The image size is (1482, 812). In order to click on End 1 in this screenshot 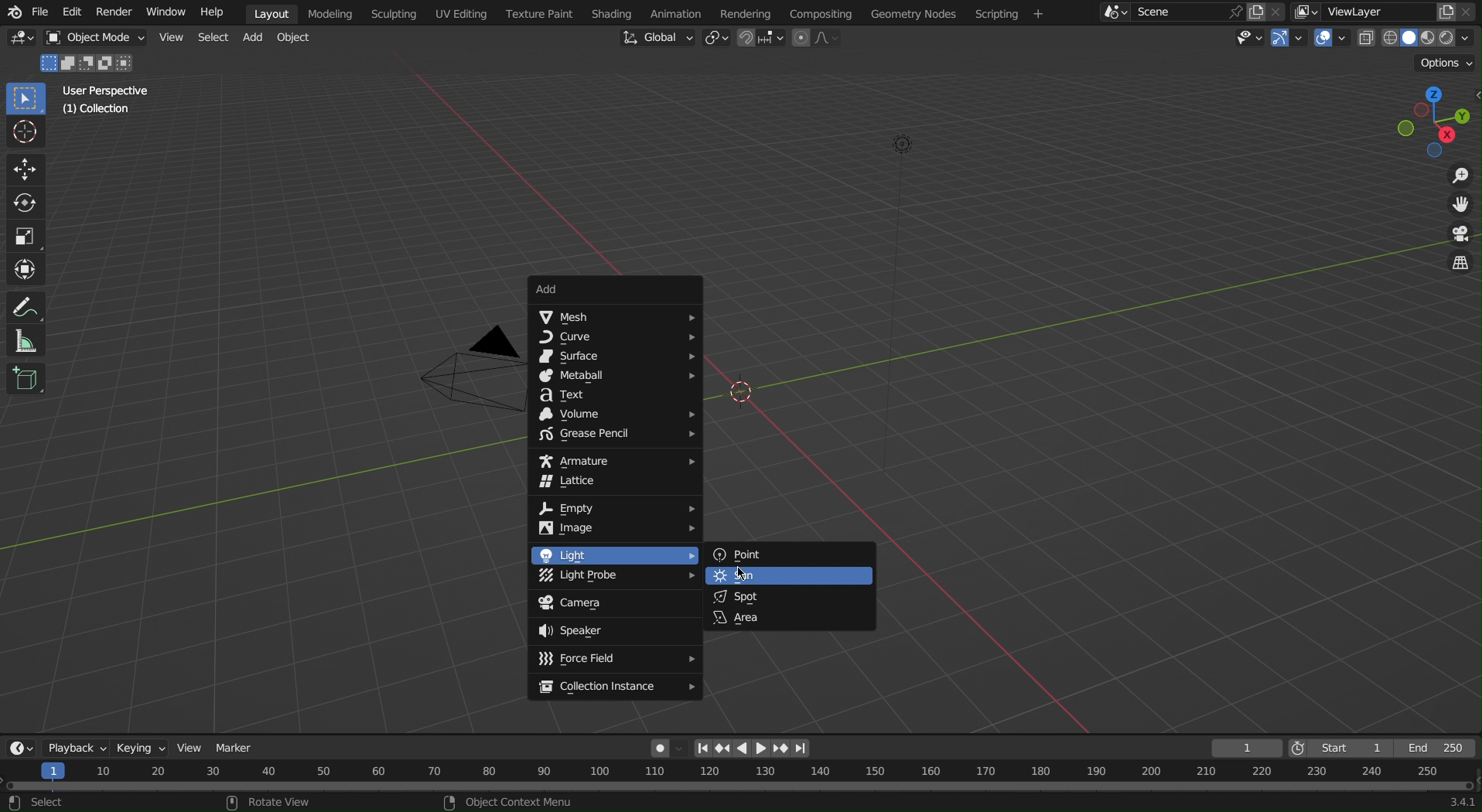, I will do `click(1443, 749)`.